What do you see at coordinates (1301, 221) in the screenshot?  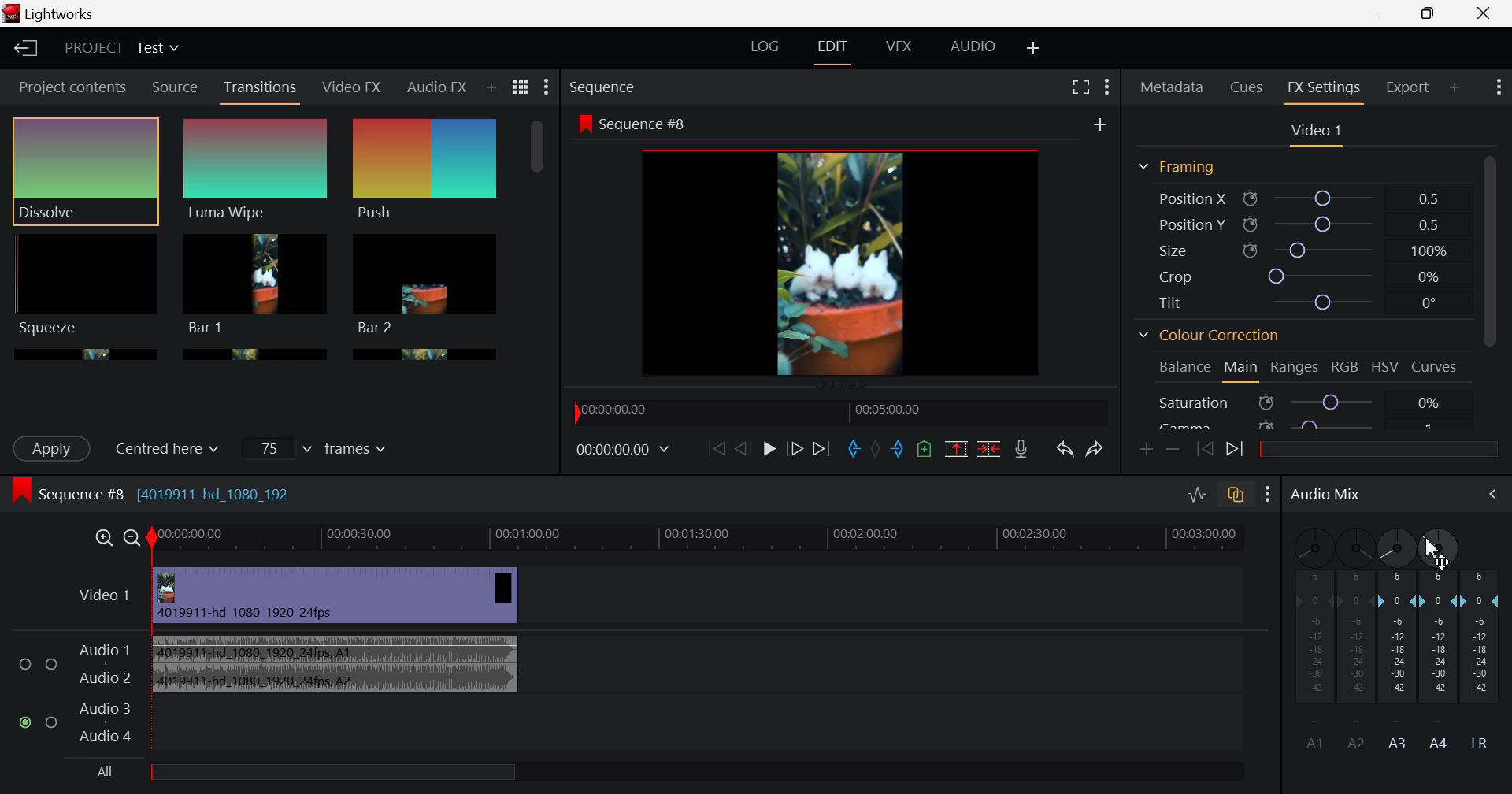 I see `Position Y` at bounding box center [1301, 221].